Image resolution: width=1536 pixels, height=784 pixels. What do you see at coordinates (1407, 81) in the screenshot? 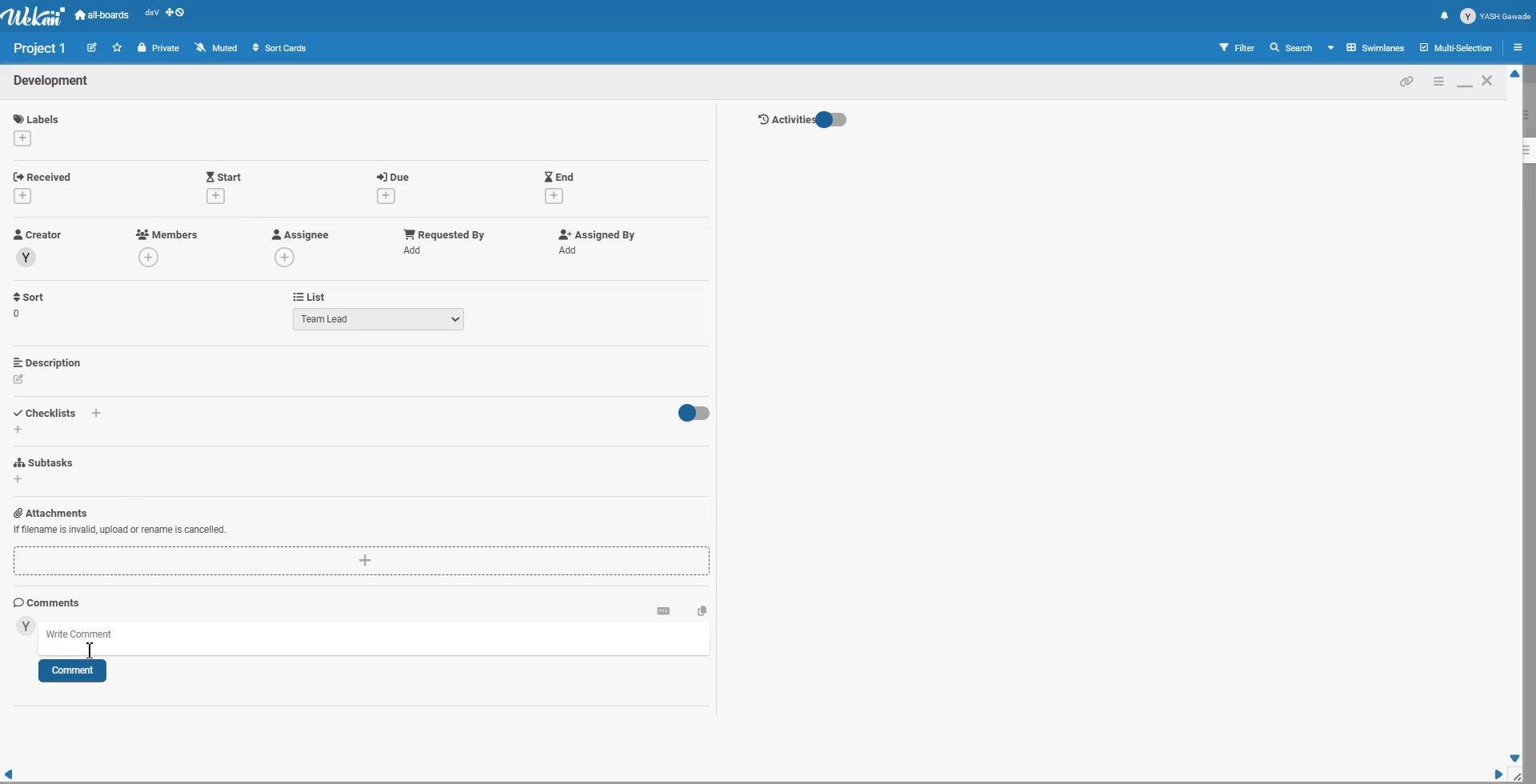
I see `Copy card link` at bounding box center [1407, 81].